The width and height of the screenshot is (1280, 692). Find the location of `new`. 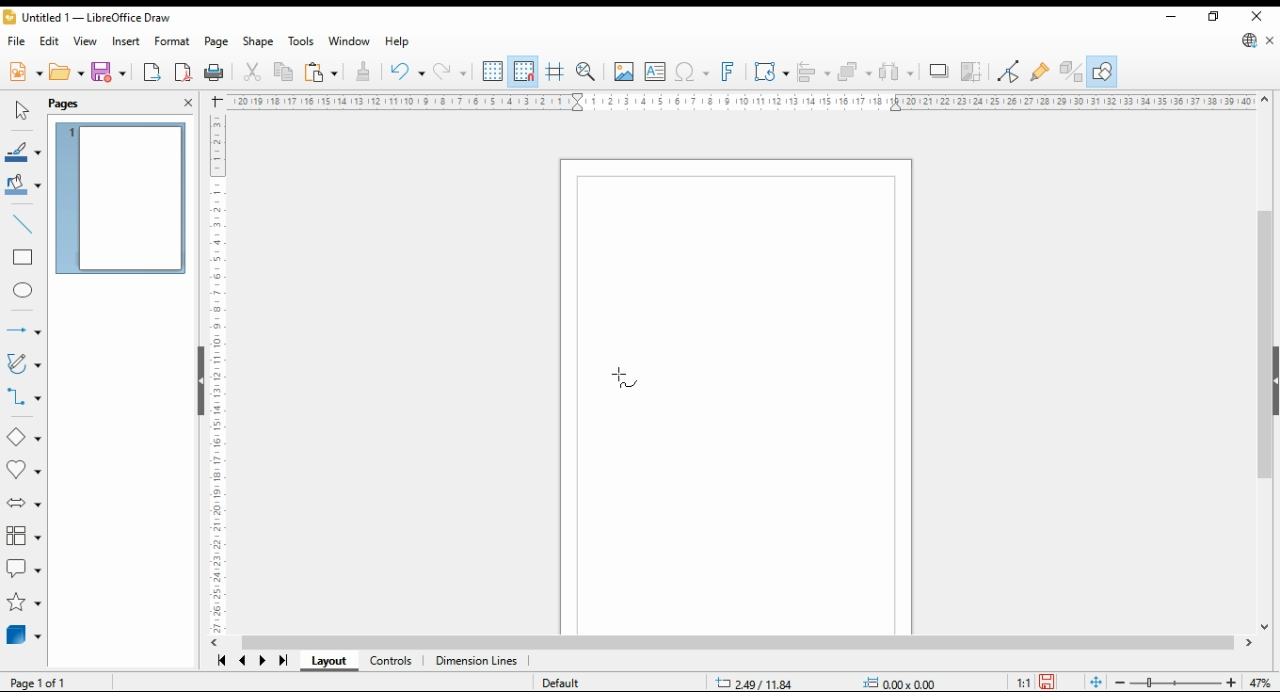

new is located at coordinates (24, 74).